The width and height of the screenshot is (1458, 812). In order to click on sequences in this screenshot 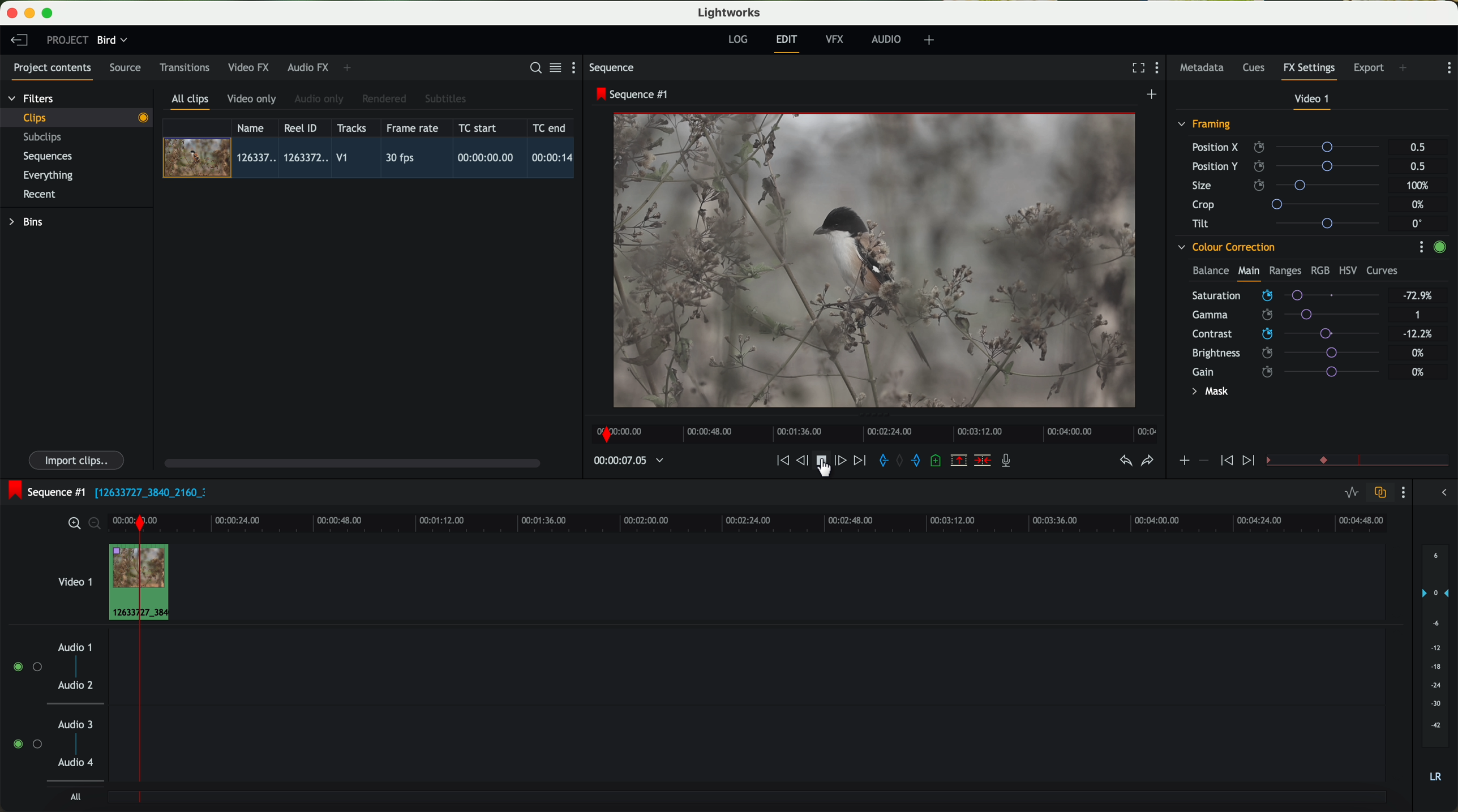, I will do `click(48, 157)`.